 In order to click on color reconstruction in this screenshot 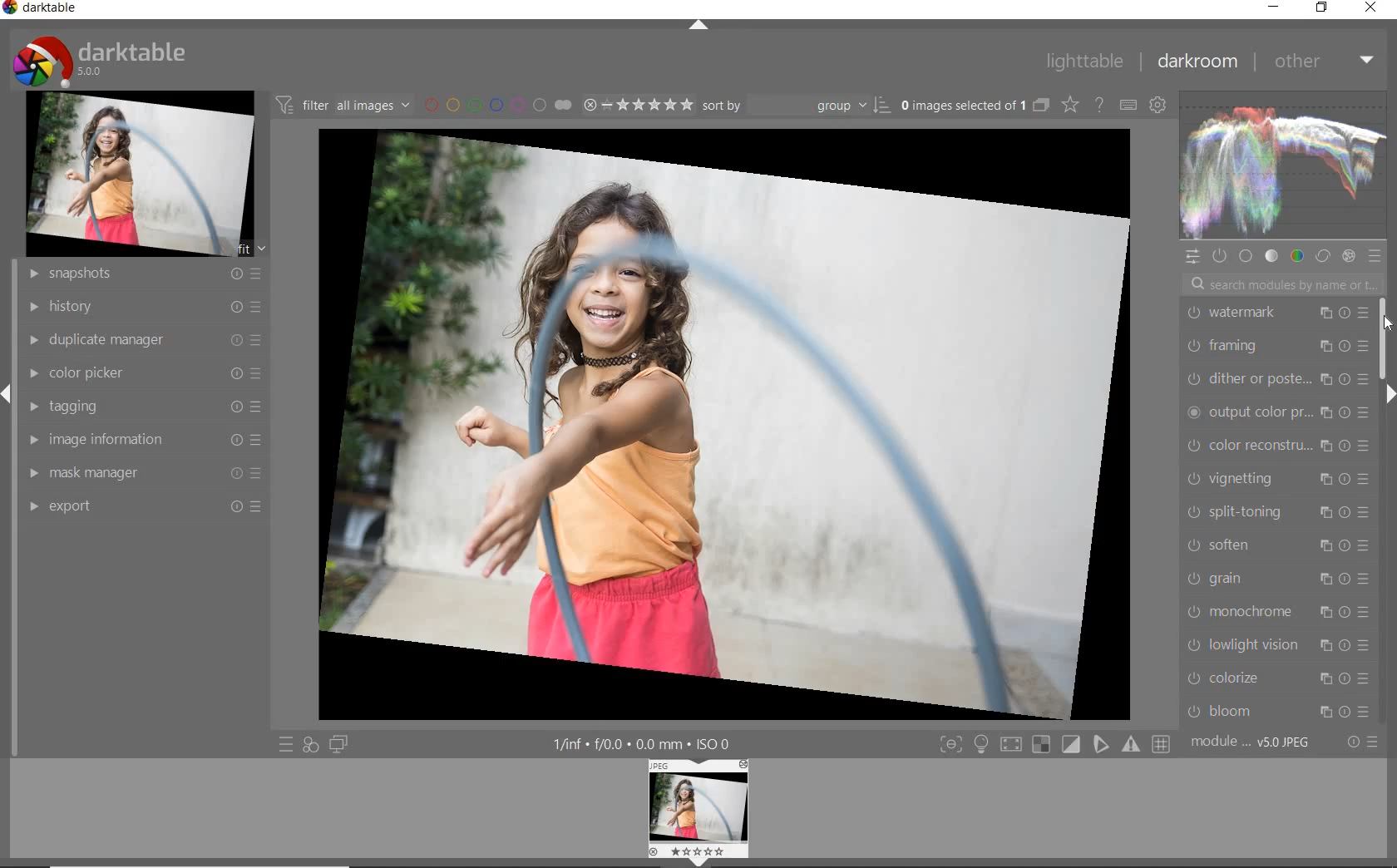, I will do `click(1283, 446)`.